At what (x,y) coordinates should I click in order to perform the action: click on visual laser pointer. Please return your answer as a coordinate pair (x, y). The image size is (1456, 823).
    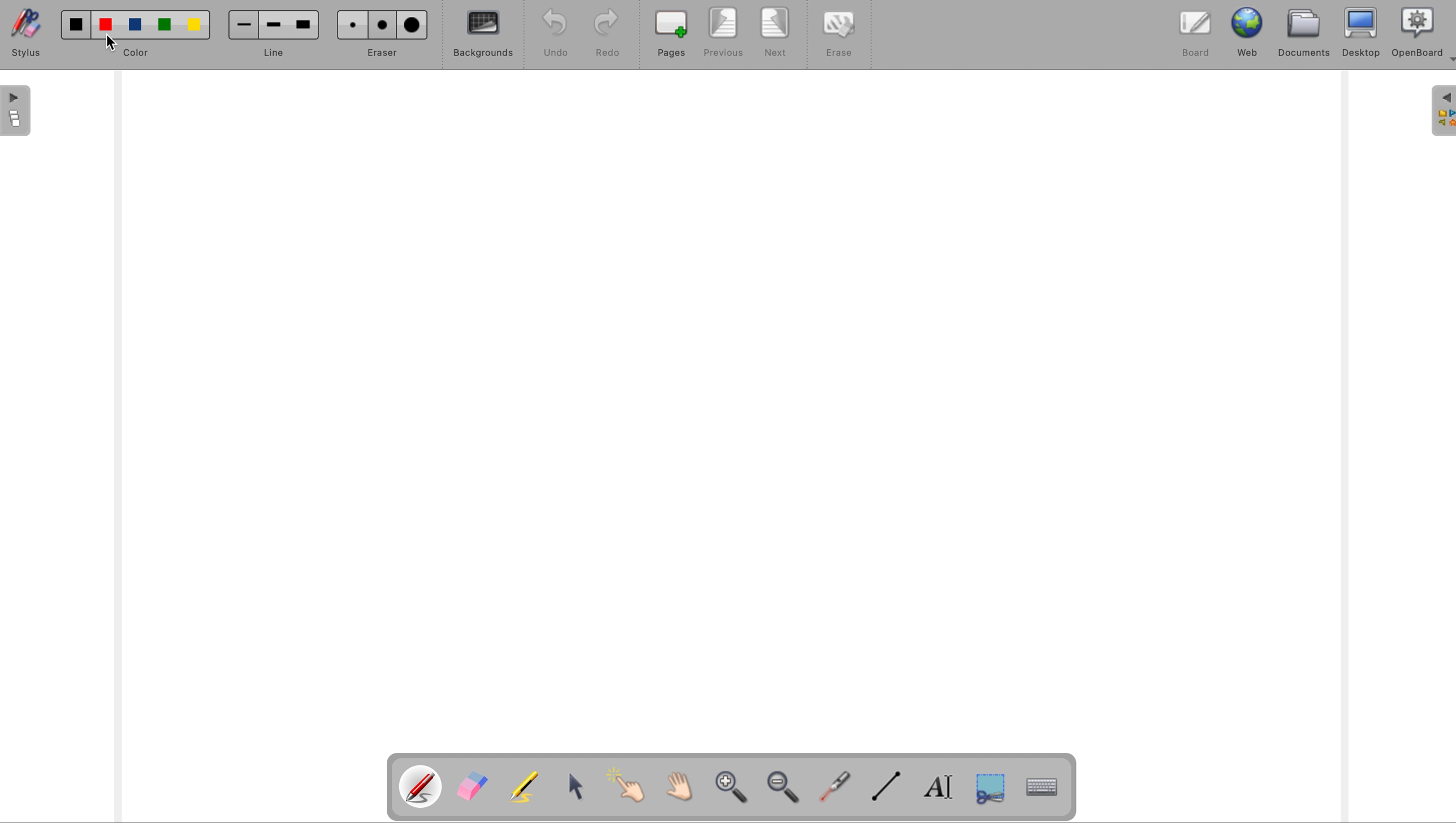
    Looking at the image, I should click on (836, 789).